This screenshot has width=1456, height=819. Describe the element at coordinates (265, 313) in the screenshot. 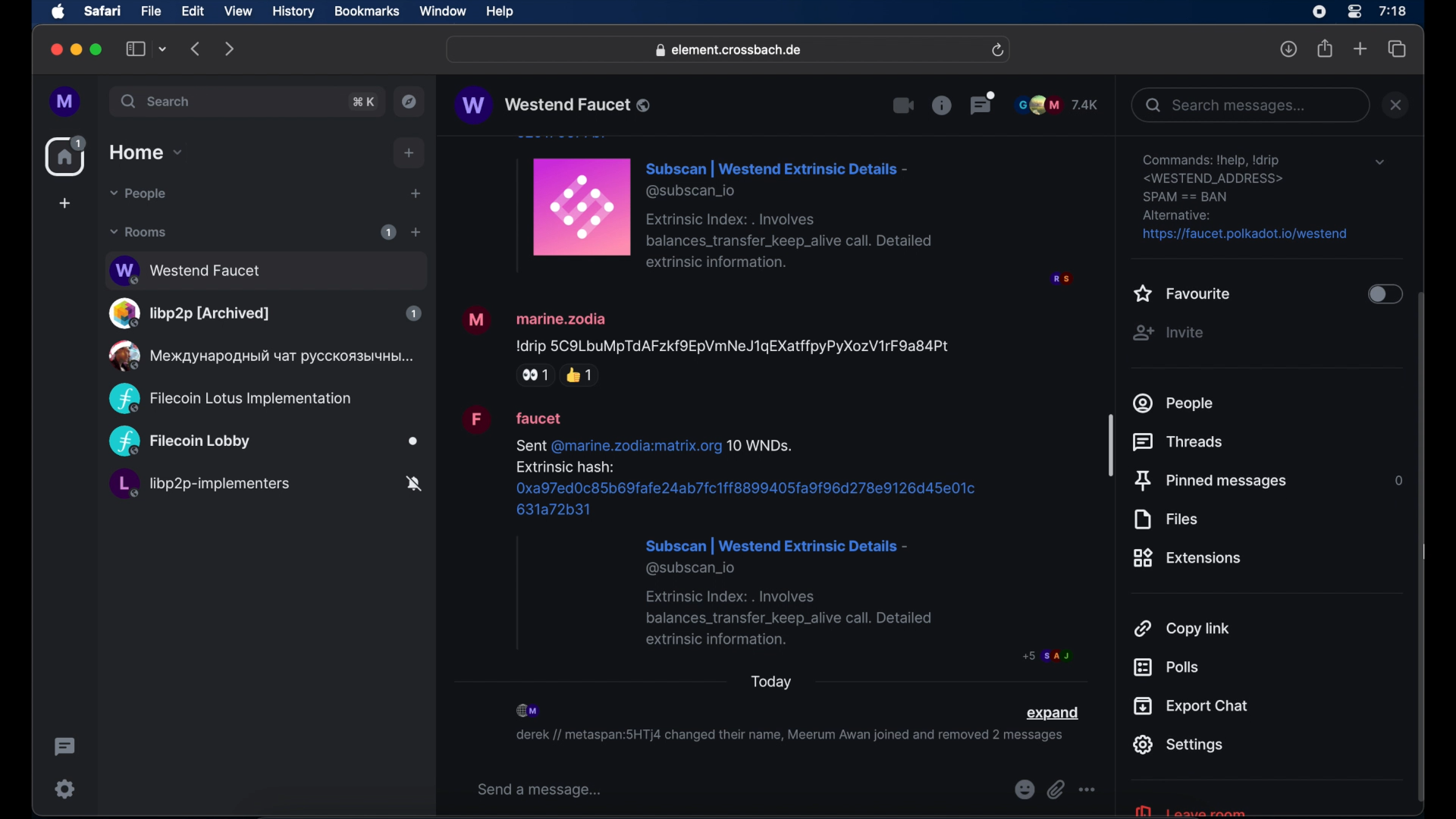

I see `public room` at that location.